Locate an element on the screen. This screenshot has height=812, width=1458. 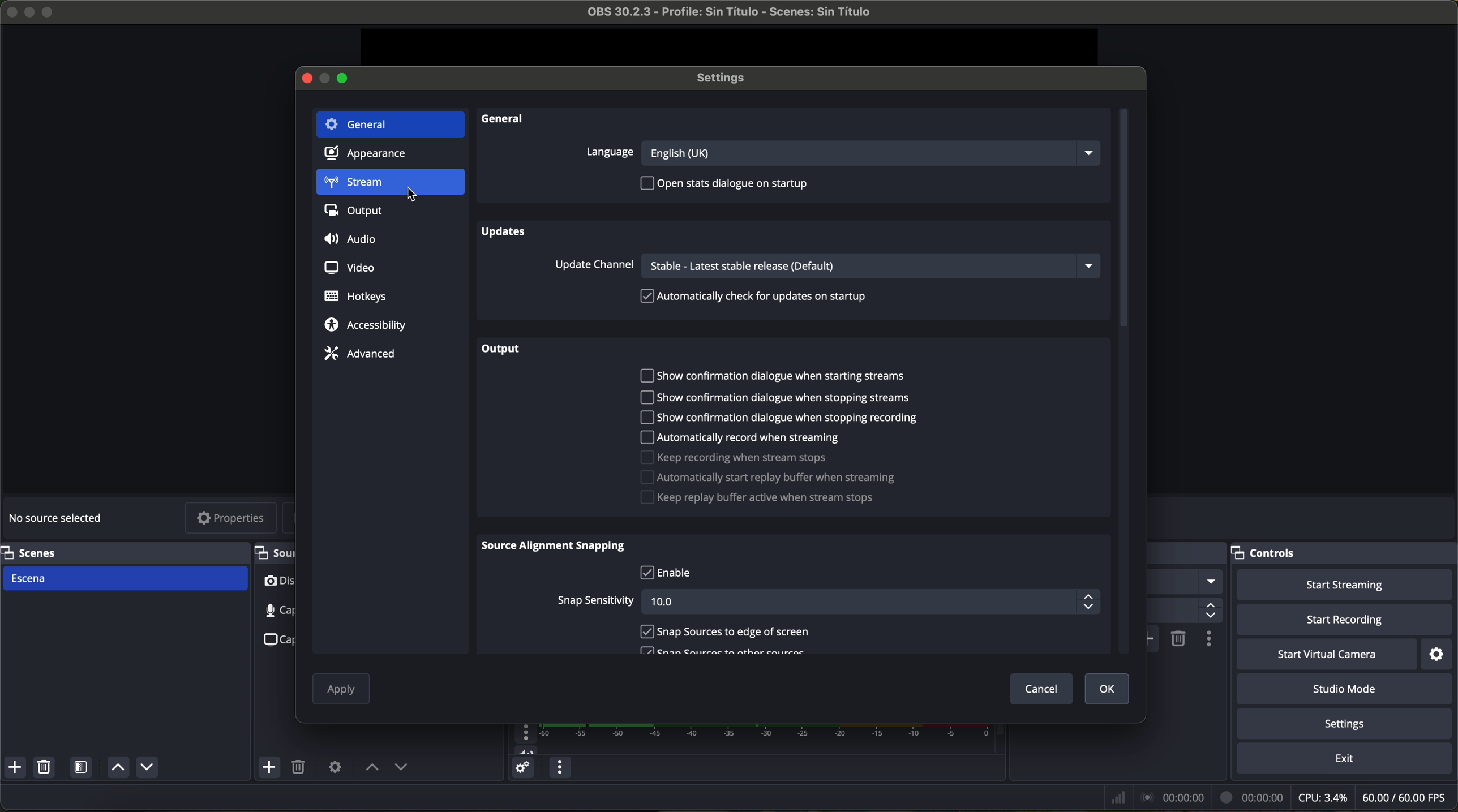
close window is located at coordinates (302, 77).